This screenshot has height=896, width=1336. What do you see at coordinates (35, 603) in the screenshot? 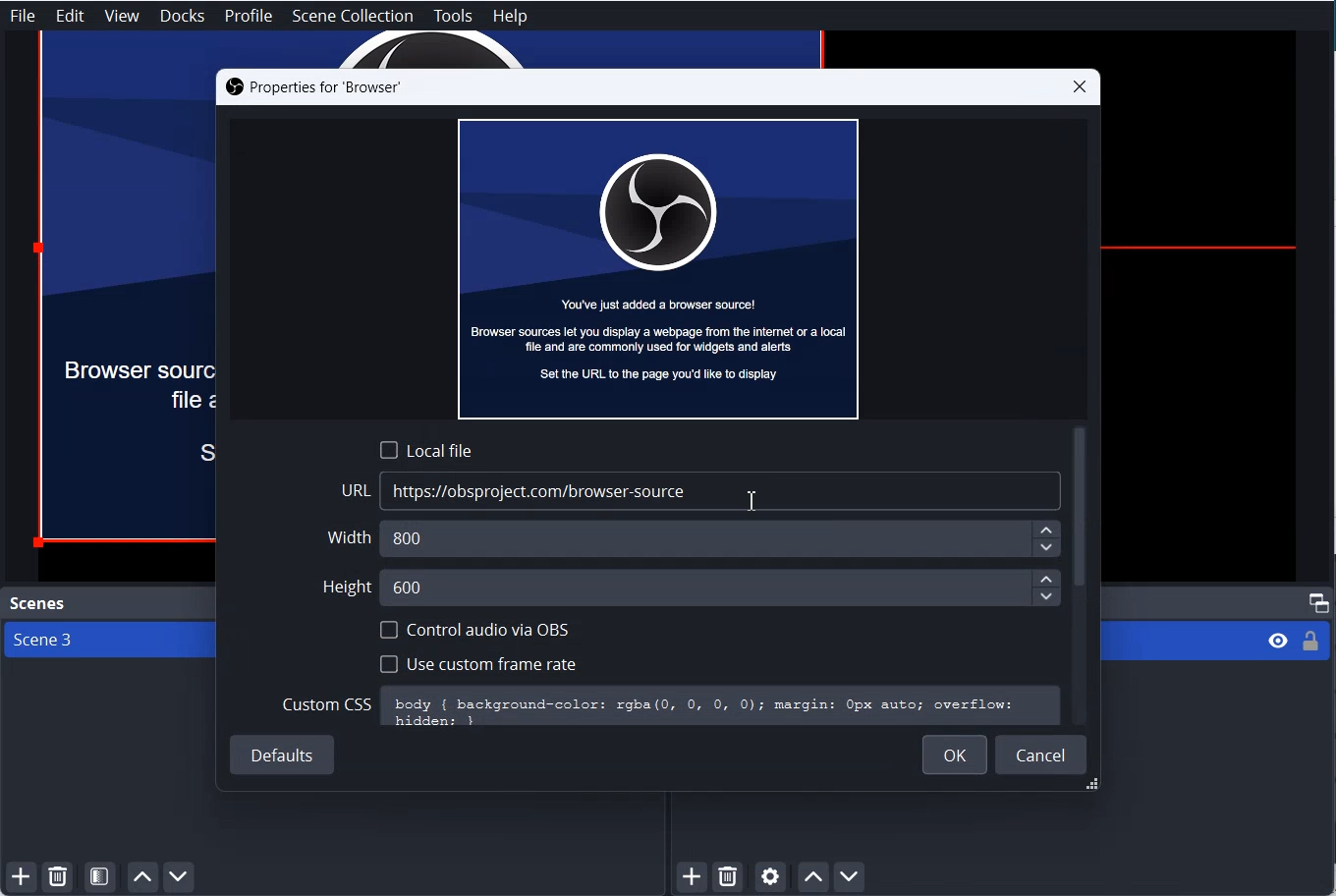
I see `Scenes` at bounding box center [35, 603].